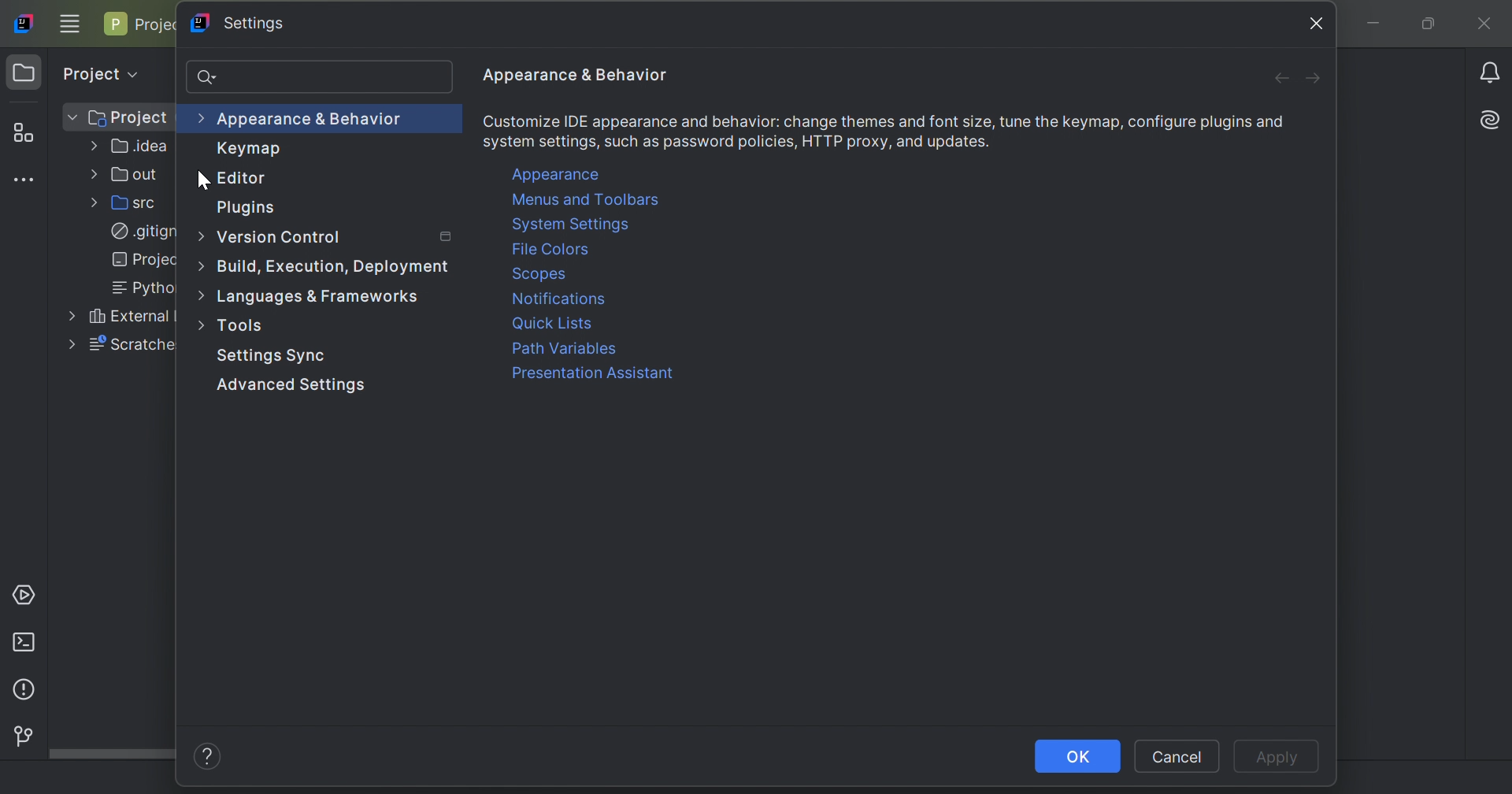 The image size is (1512, 794). What do you see at coordinates (1493, 117) in the screenshot?
I see `AI Assistant` at bounding box center [1493, 117].